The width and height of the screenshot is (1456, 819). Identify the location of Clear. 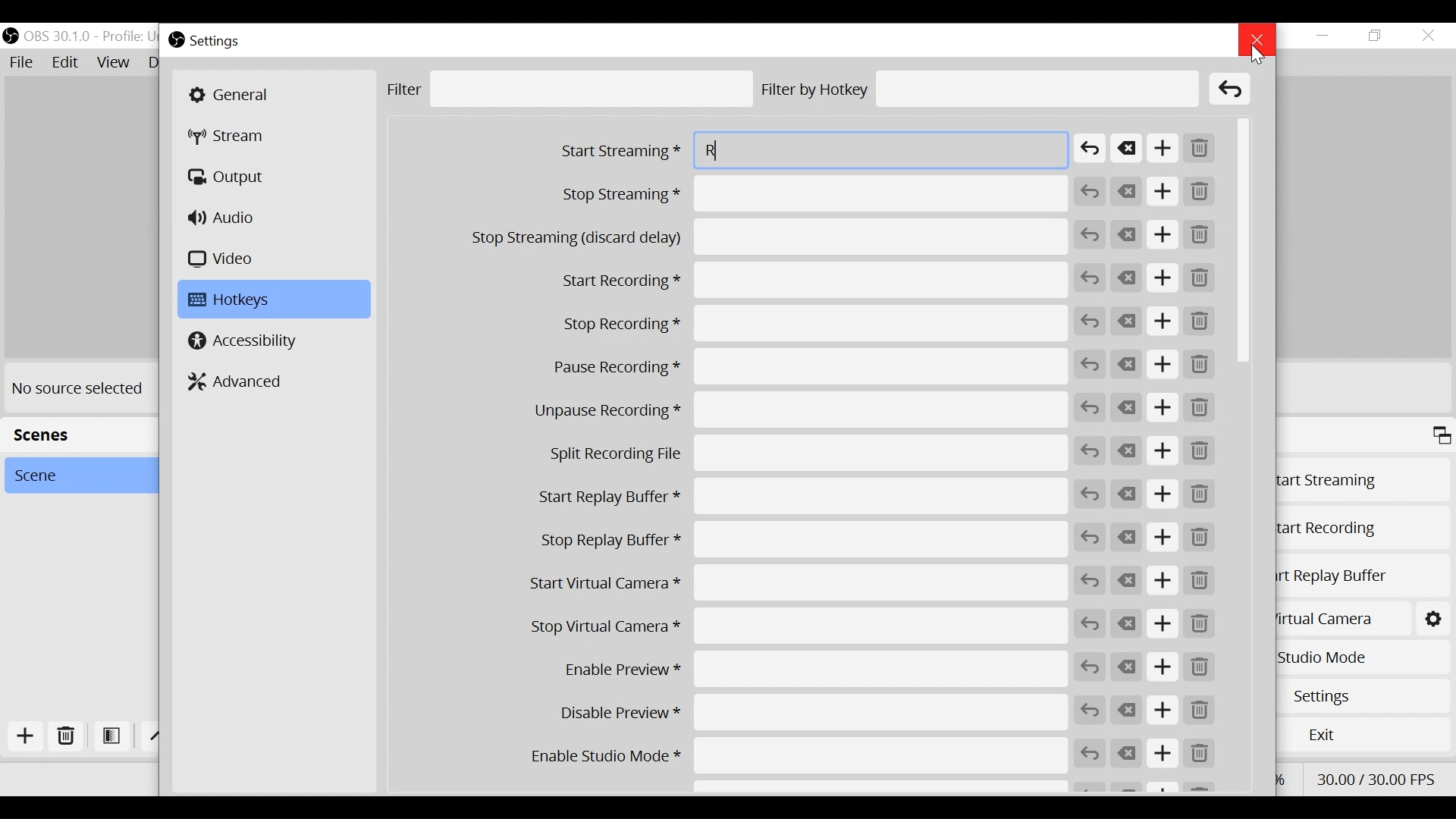
(1128, 191).